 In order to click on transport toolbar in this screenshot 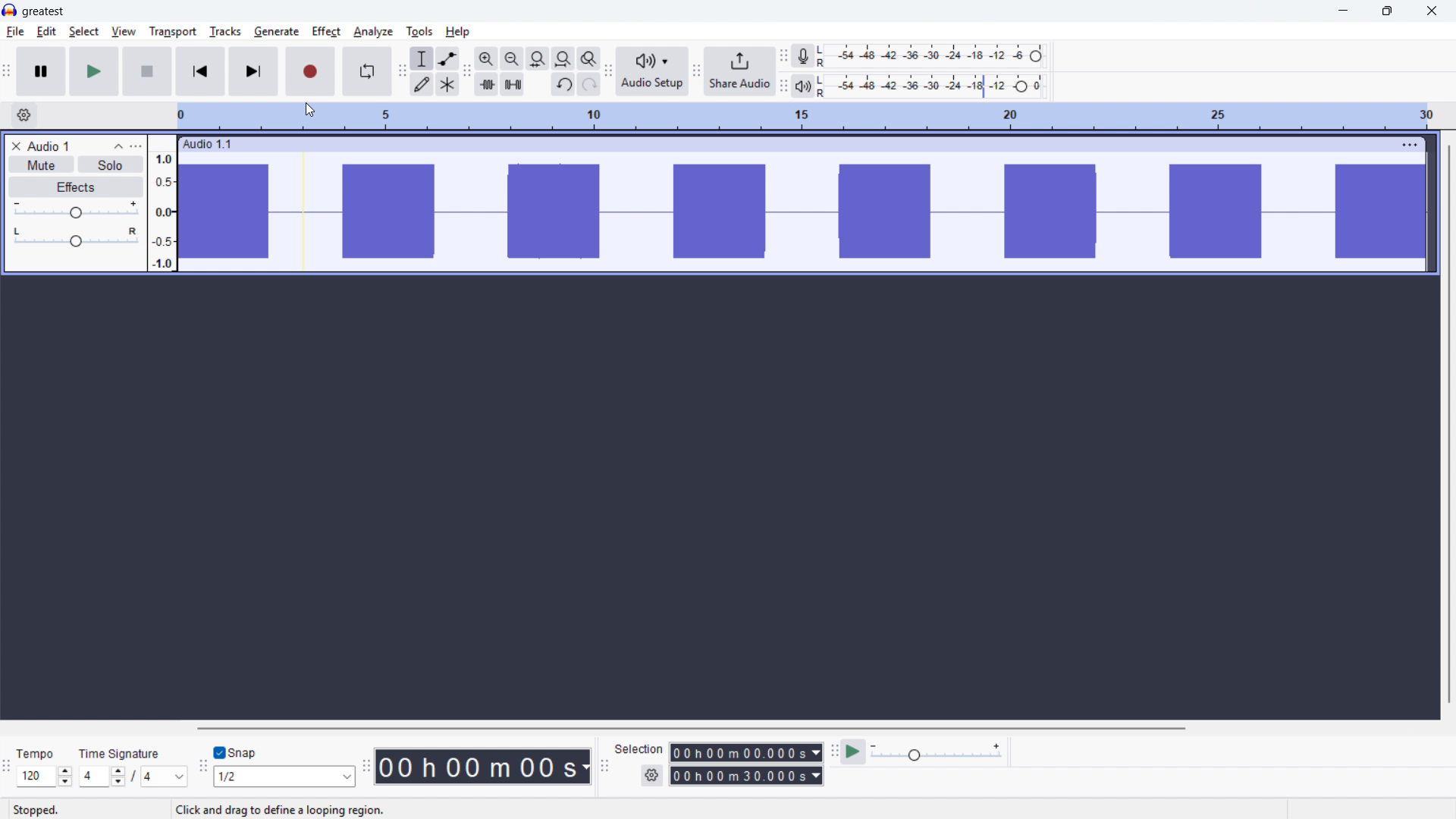, I will do `click(7, 74)`.